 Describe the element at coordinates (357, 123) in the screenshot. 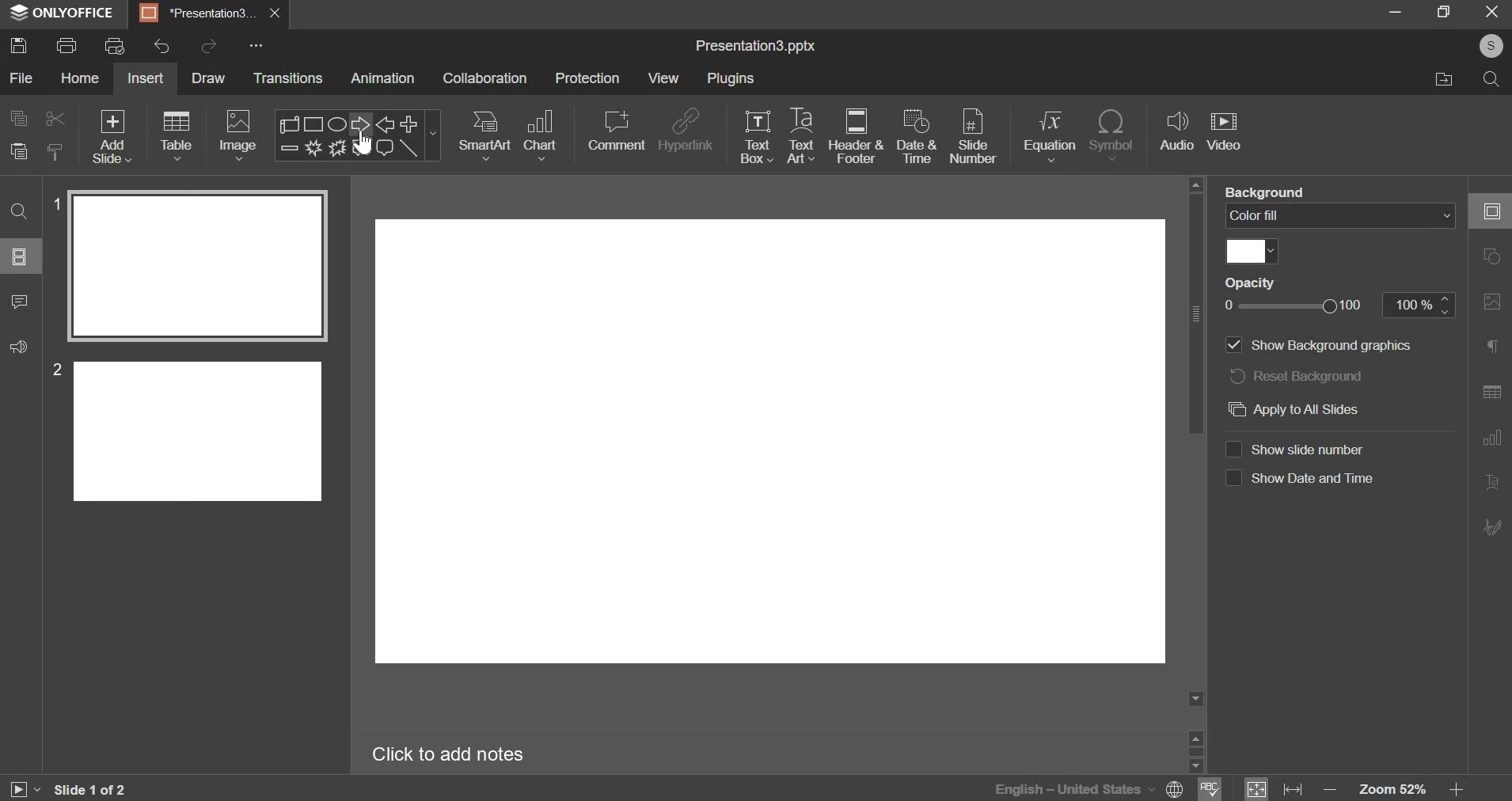

I see `right arrow` at that location.